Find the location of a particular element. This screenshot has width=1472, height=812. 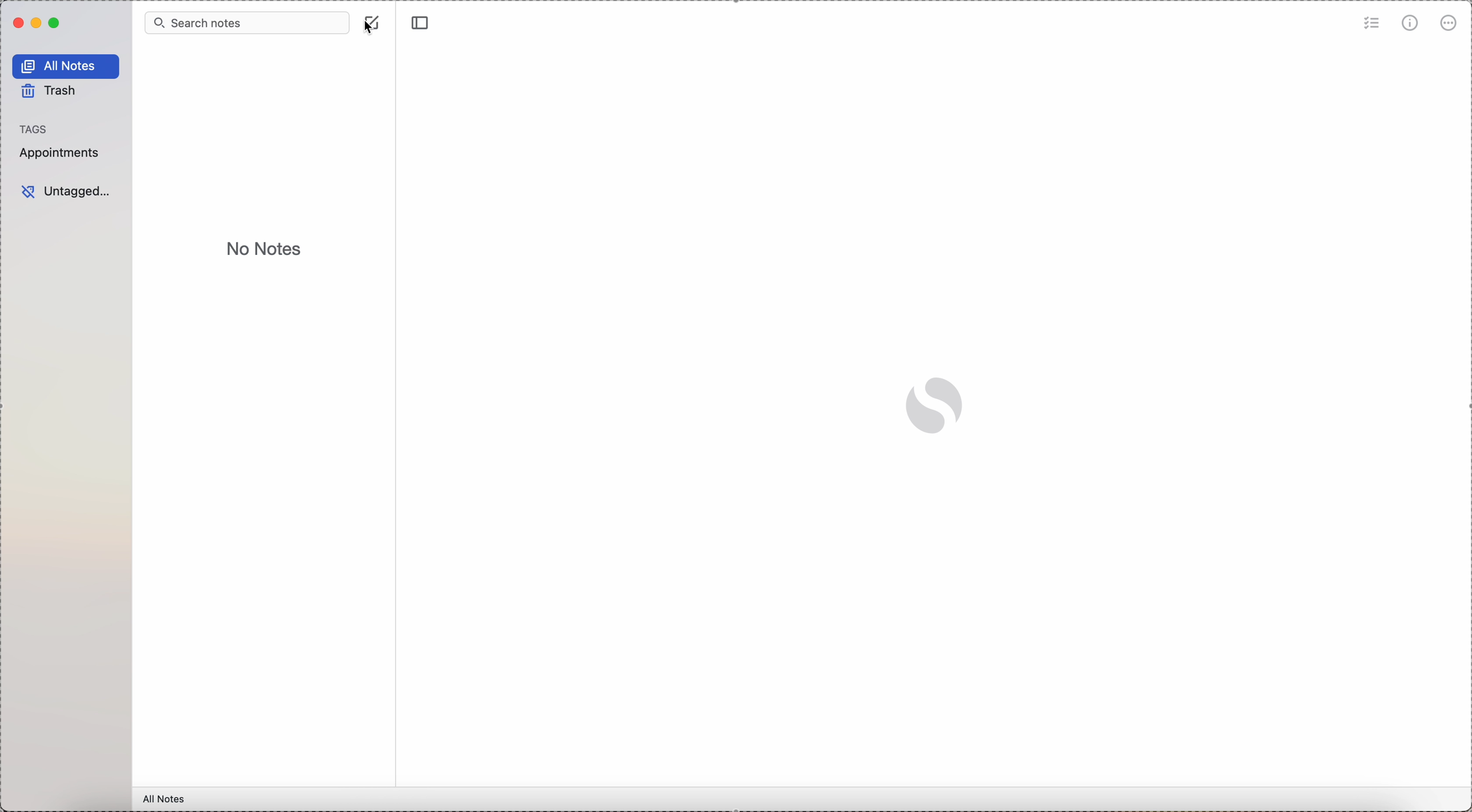

all notes is located at coordinates (165, 799).